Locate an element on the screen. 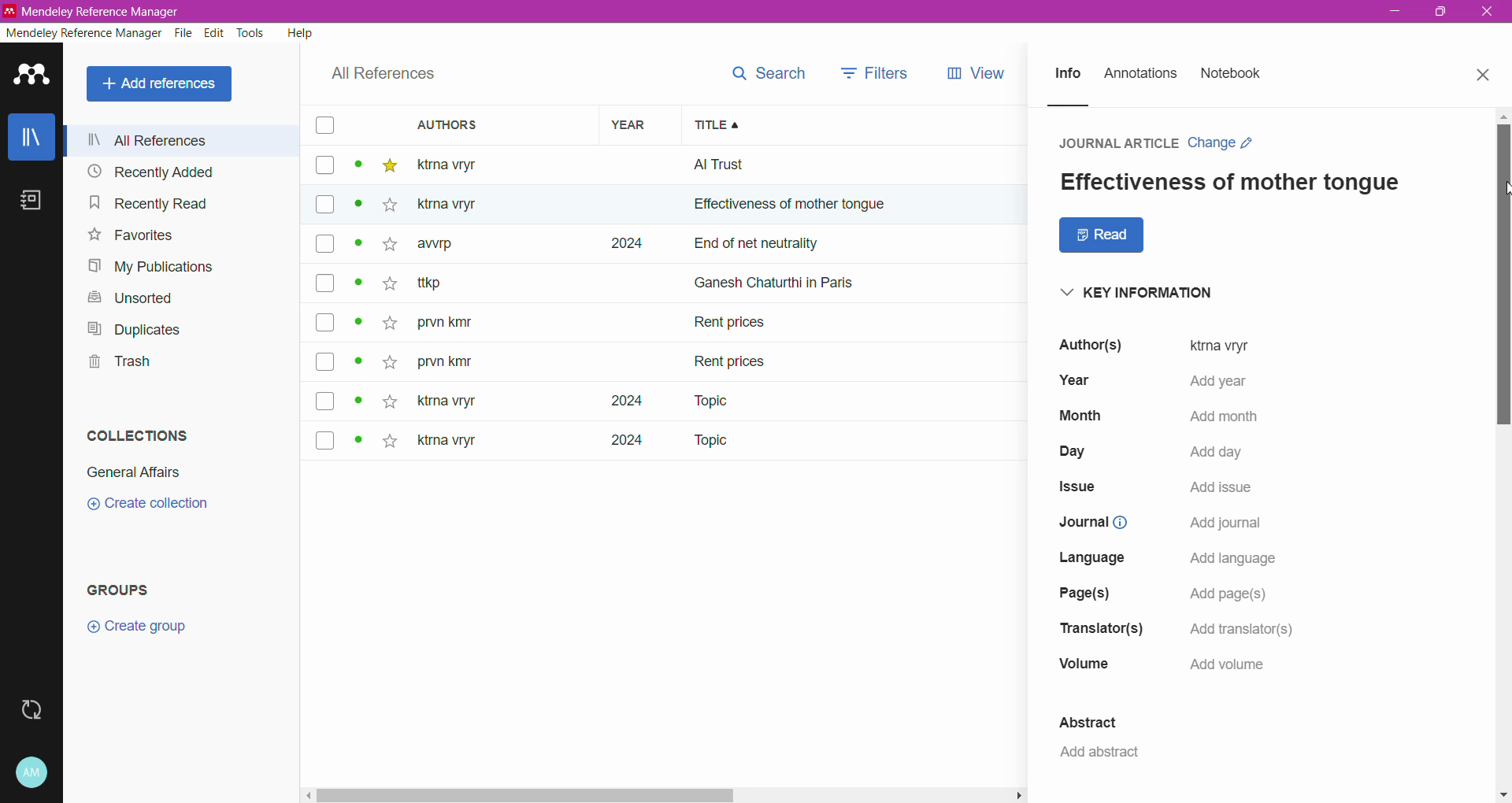 This screenshot has height=803, width=1512. Add translator(s) is located at coordinates (1241, 628).